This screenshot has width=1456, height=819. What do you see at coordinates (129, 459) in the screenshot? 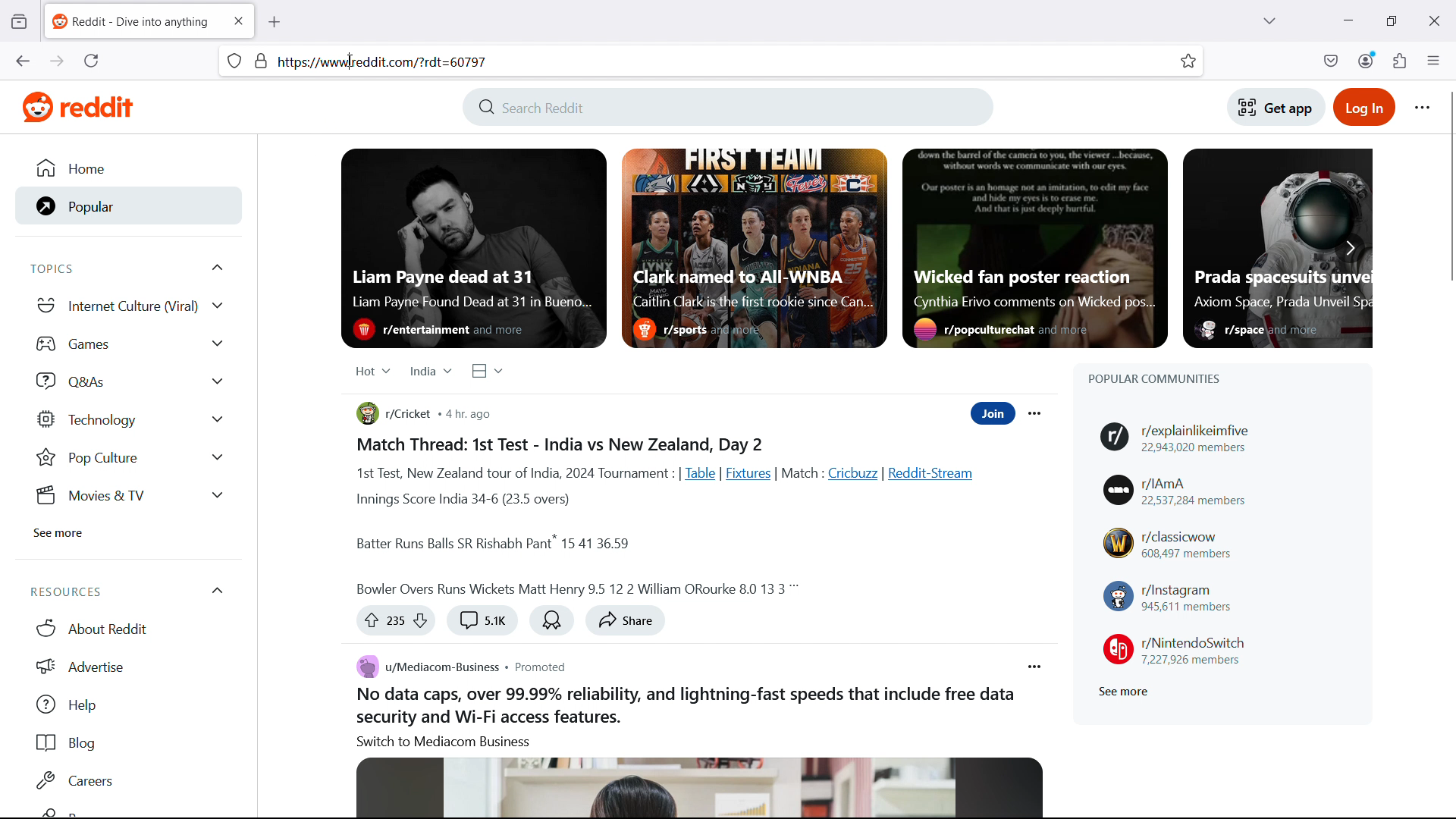
I see `Pop Culture` at bounding box center [129, 459].